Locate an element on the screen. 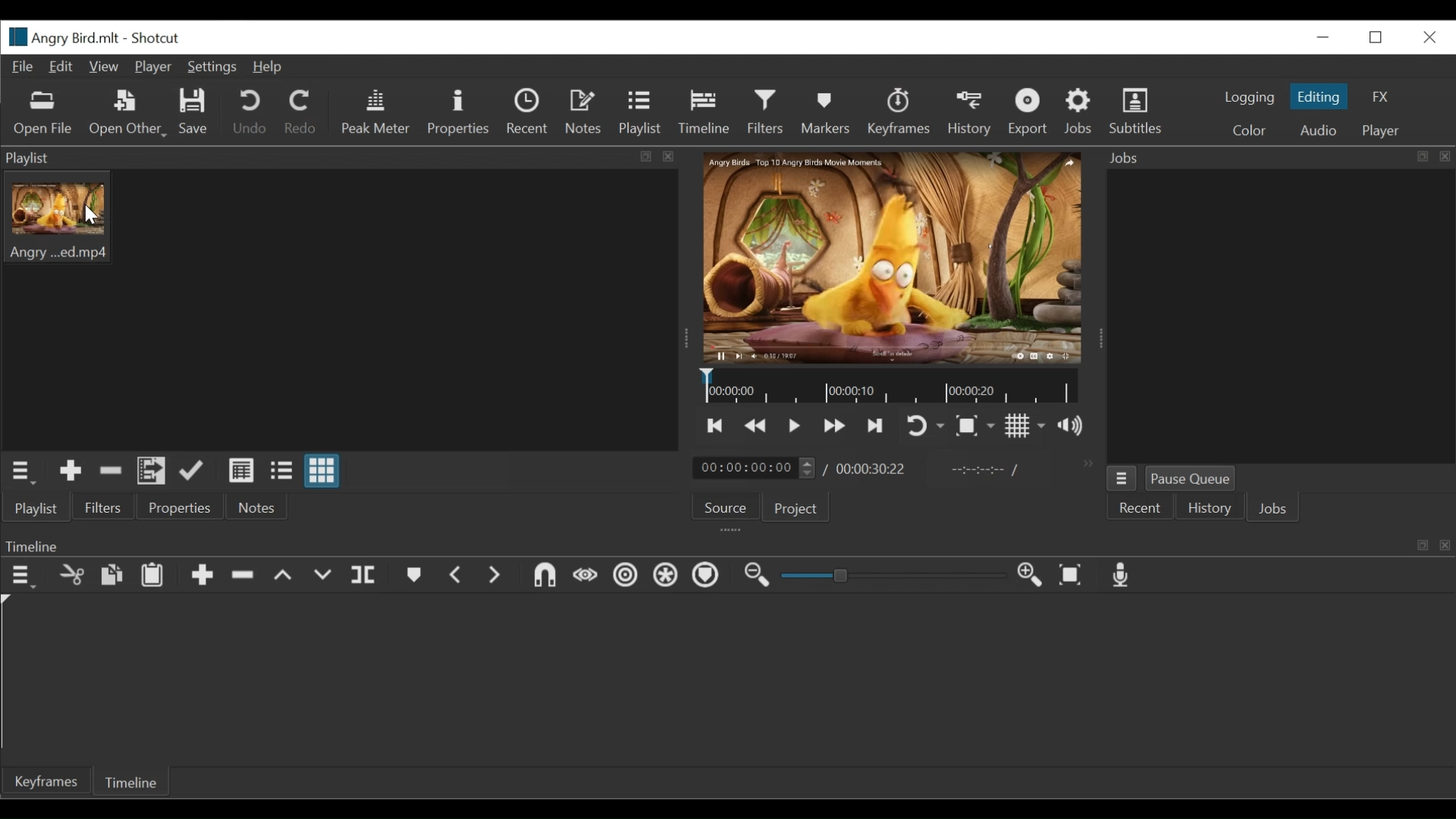 Image resolution: width=1456 pixels, height=819 pixels. Markers is located at coordinates (823, 111).